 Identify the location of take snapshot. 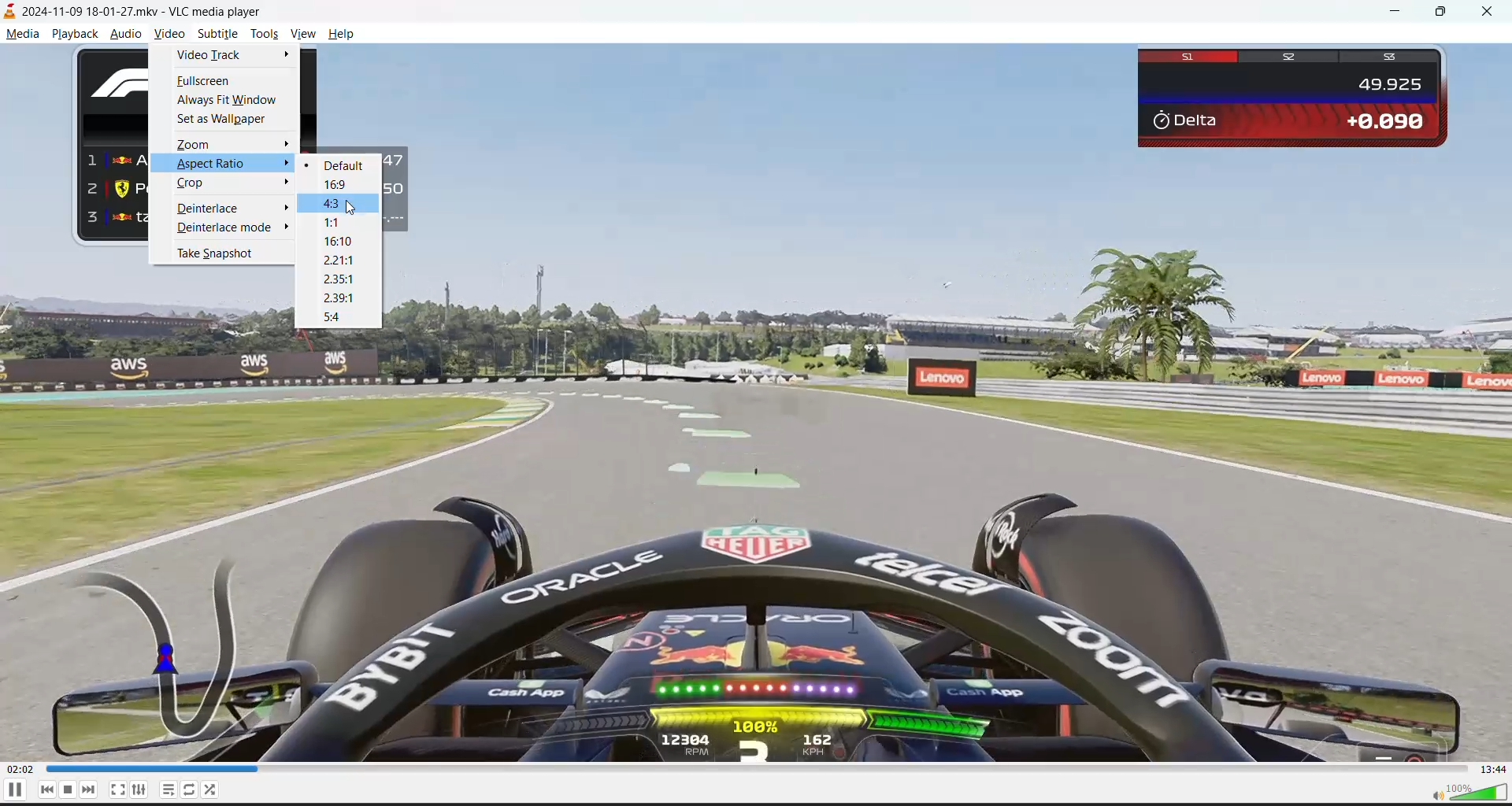
(219, 254).